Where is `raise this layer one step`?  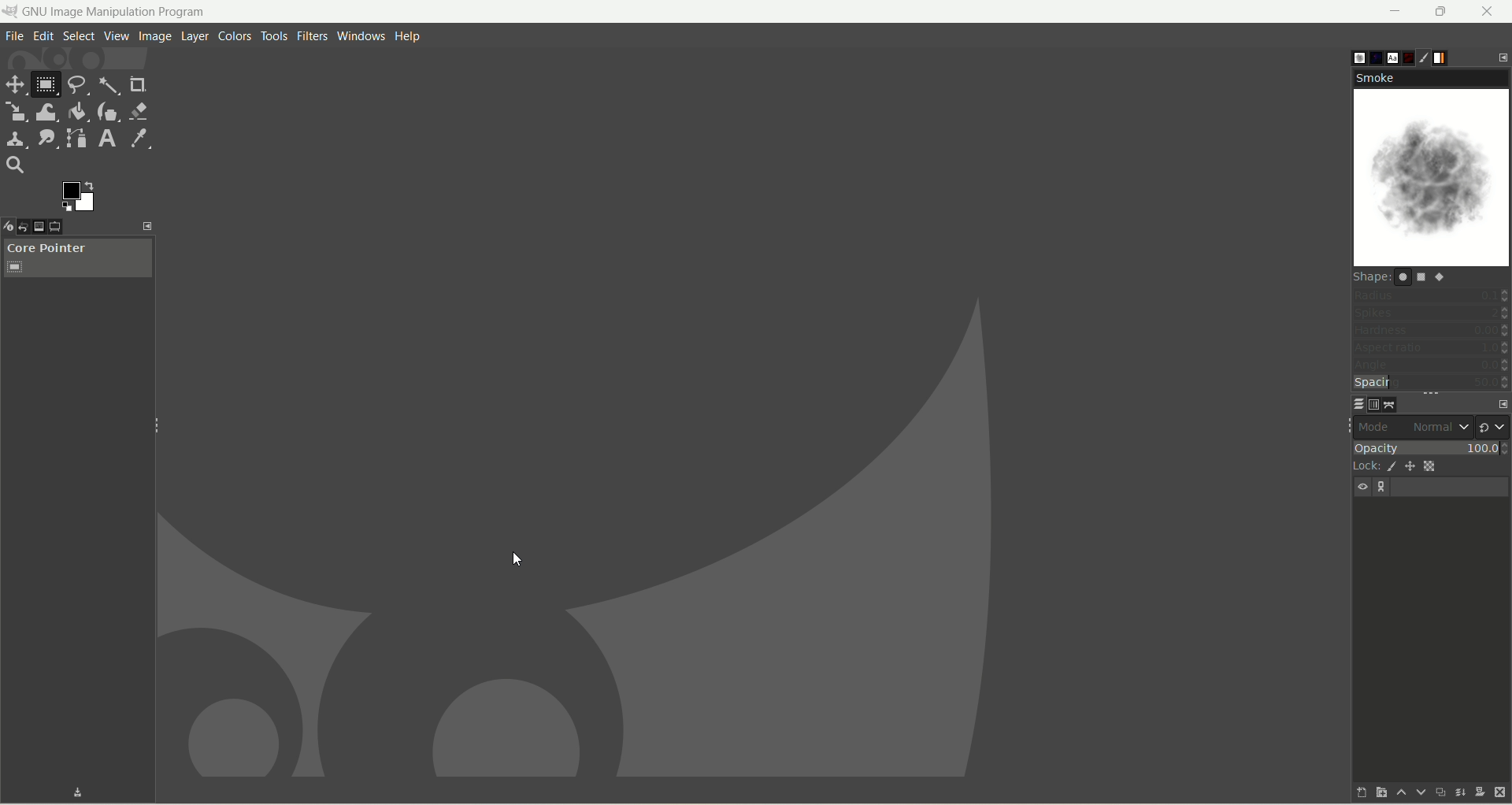 raise this layer one step is located at coordinates (1394, 795).